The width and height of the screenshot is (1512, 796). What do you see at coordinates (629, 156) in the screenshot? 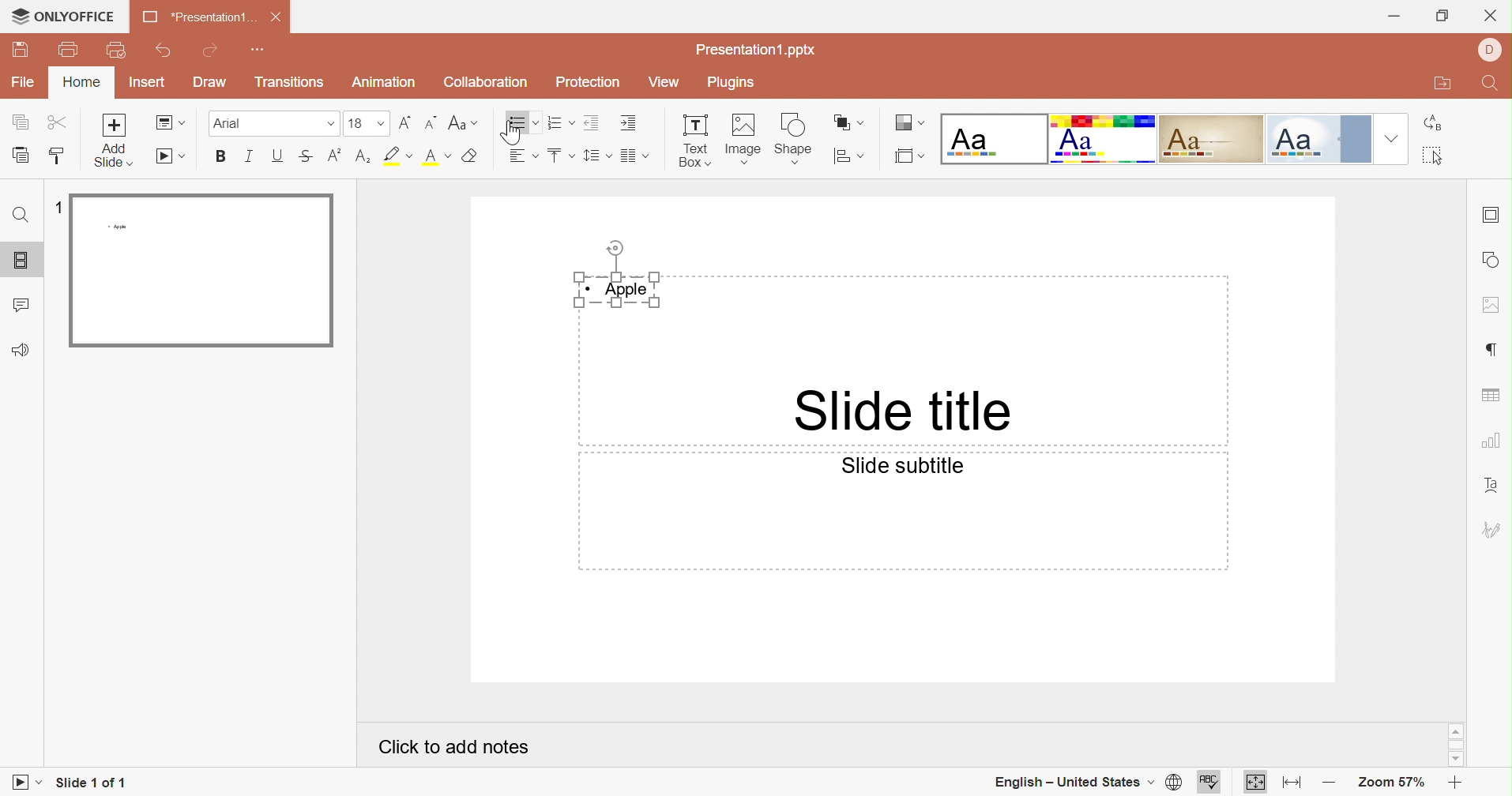
I see `Merge and center` at bounding box center [629, 156].